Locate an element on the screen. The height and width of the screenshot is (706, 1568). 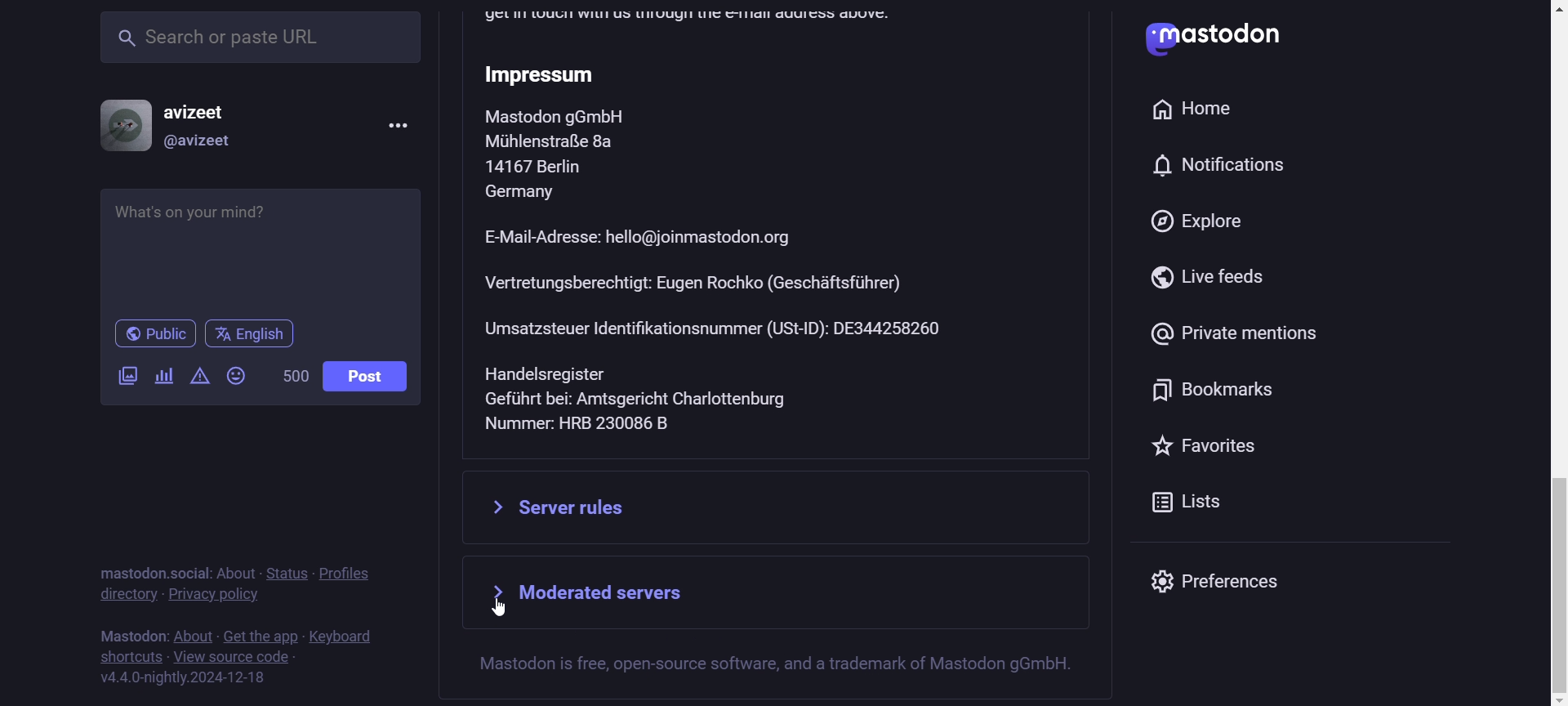
favorites is located at coordinates (1208, 446).